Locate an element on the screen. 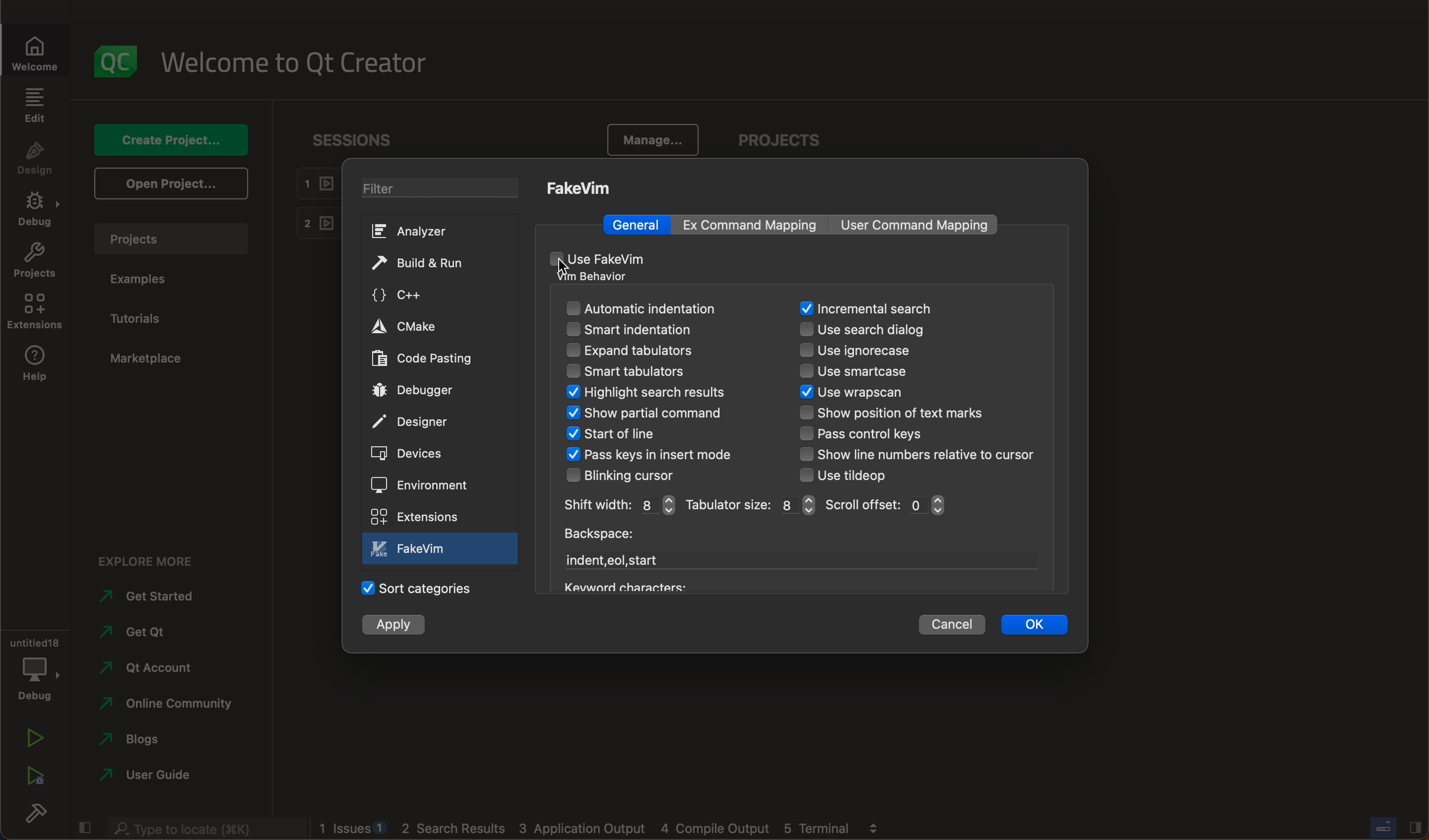  logs is located at coordinates (601, 829).